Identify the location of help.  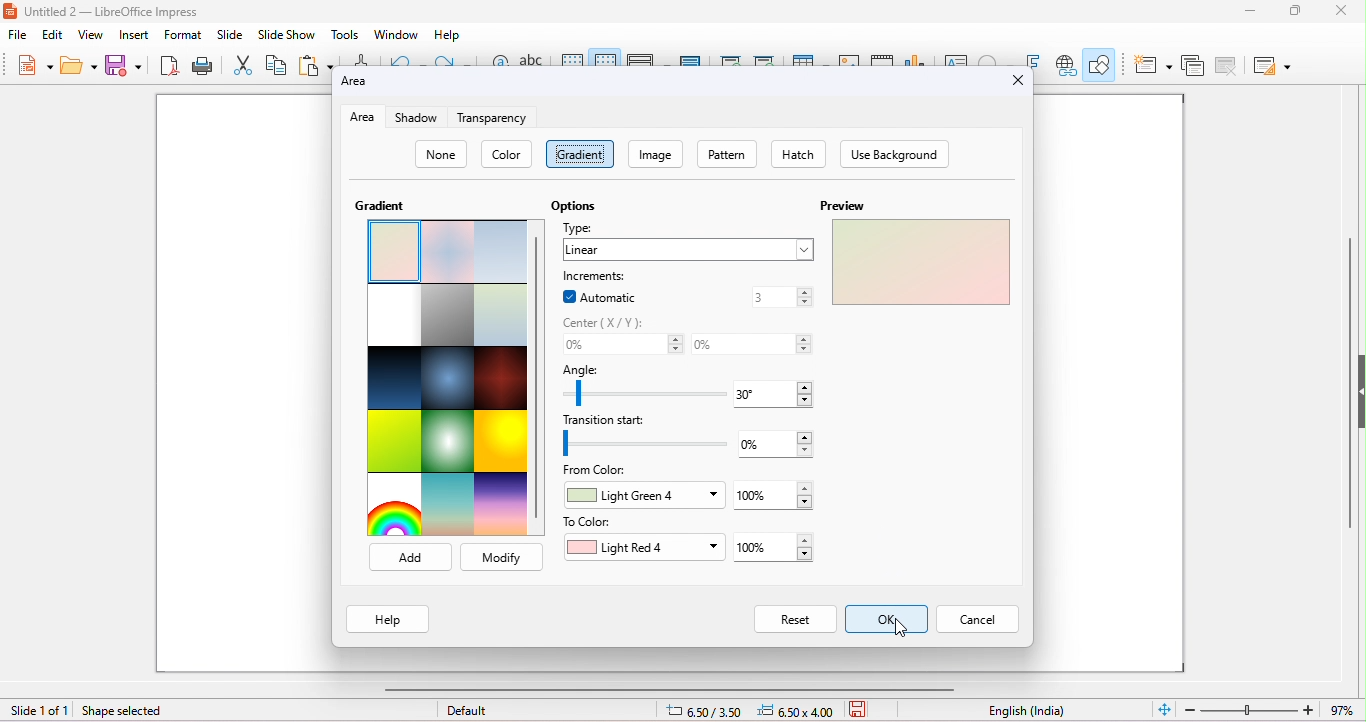
(450, 35).